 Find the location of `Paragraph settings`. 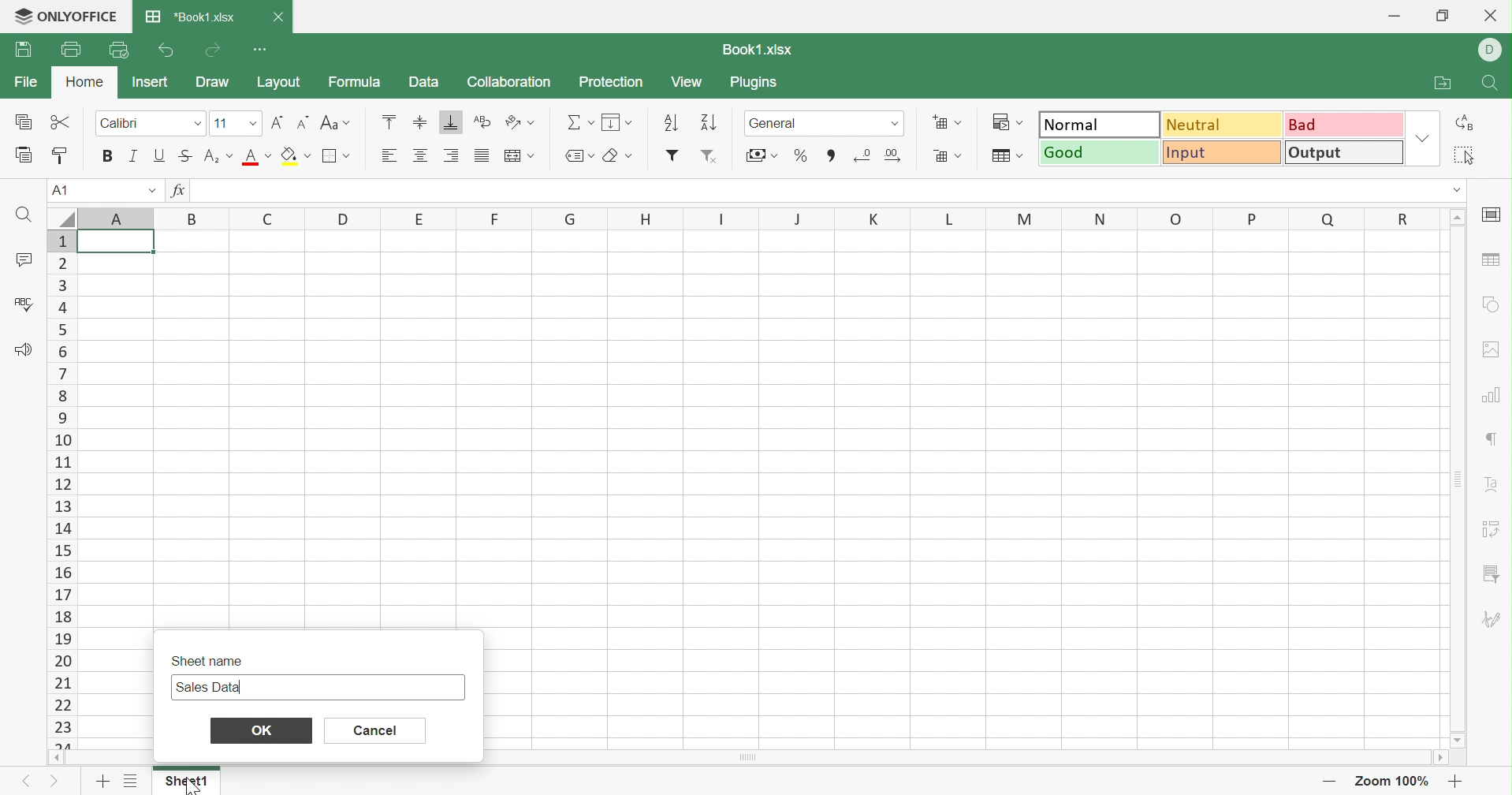

Paragraph settings is located at coordinates (1491, 437).